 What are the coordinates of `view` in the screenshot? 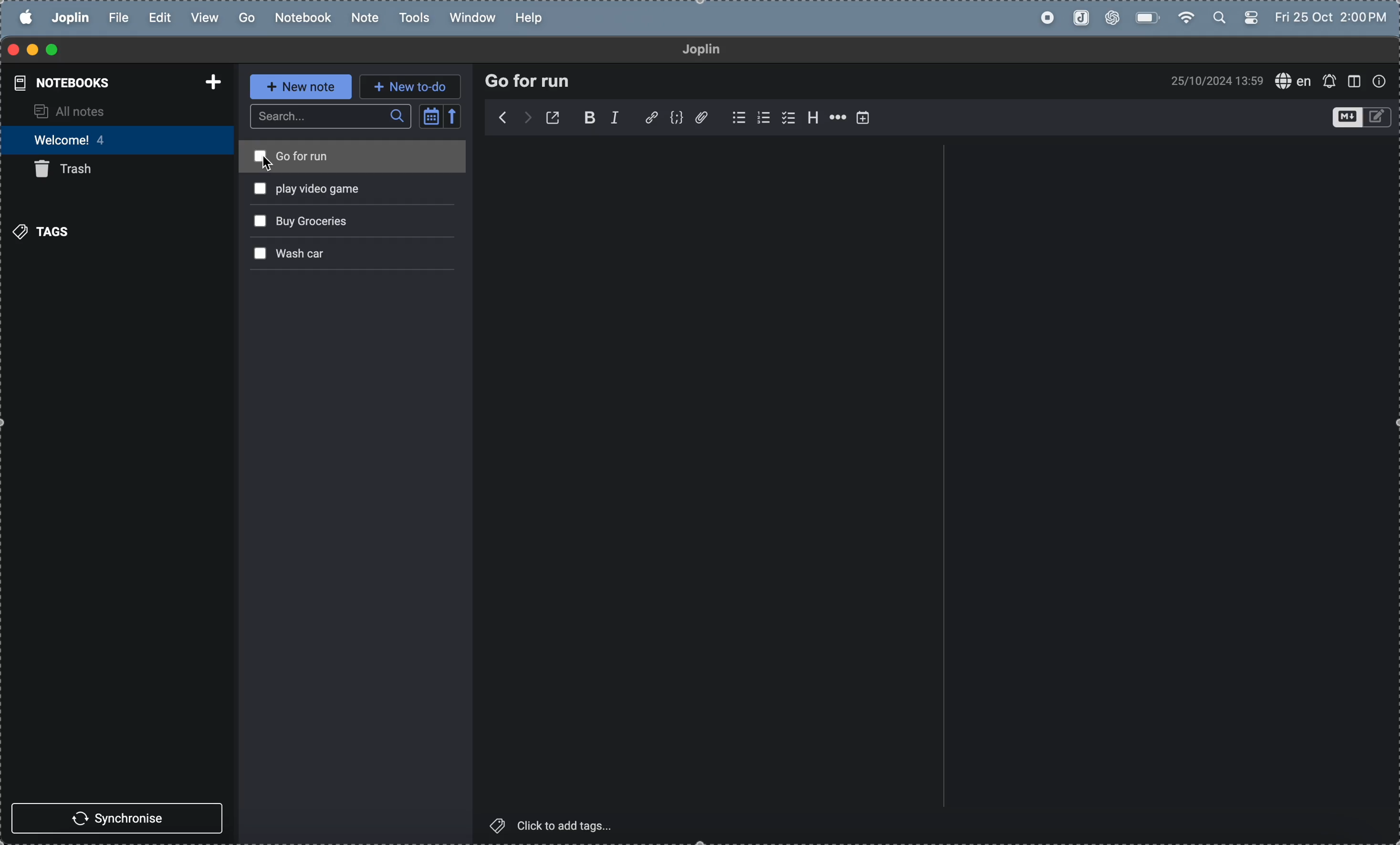 It's located at (201, 17).